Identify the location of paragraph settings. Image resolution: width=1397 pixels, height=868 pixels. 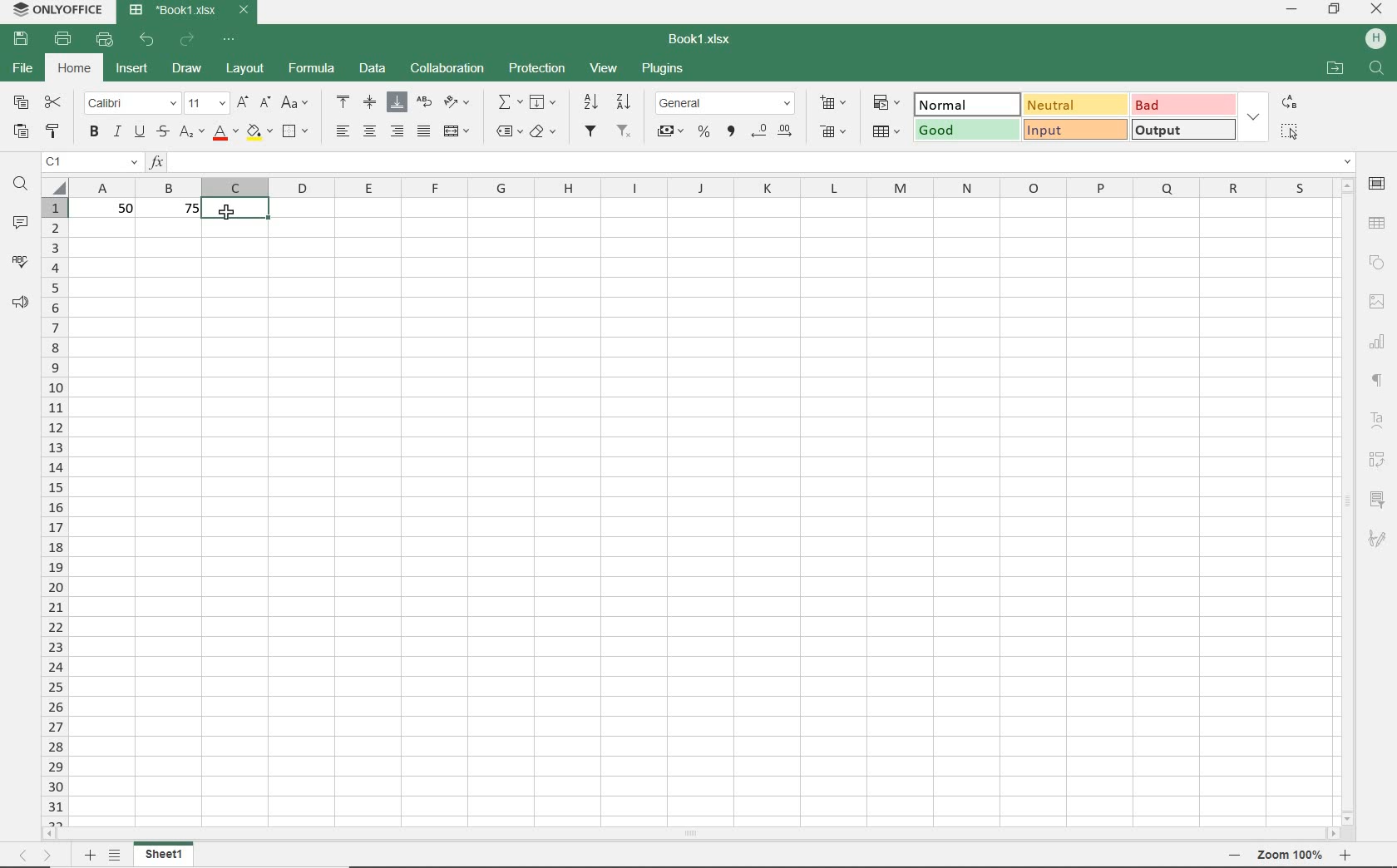
(1379, 380).